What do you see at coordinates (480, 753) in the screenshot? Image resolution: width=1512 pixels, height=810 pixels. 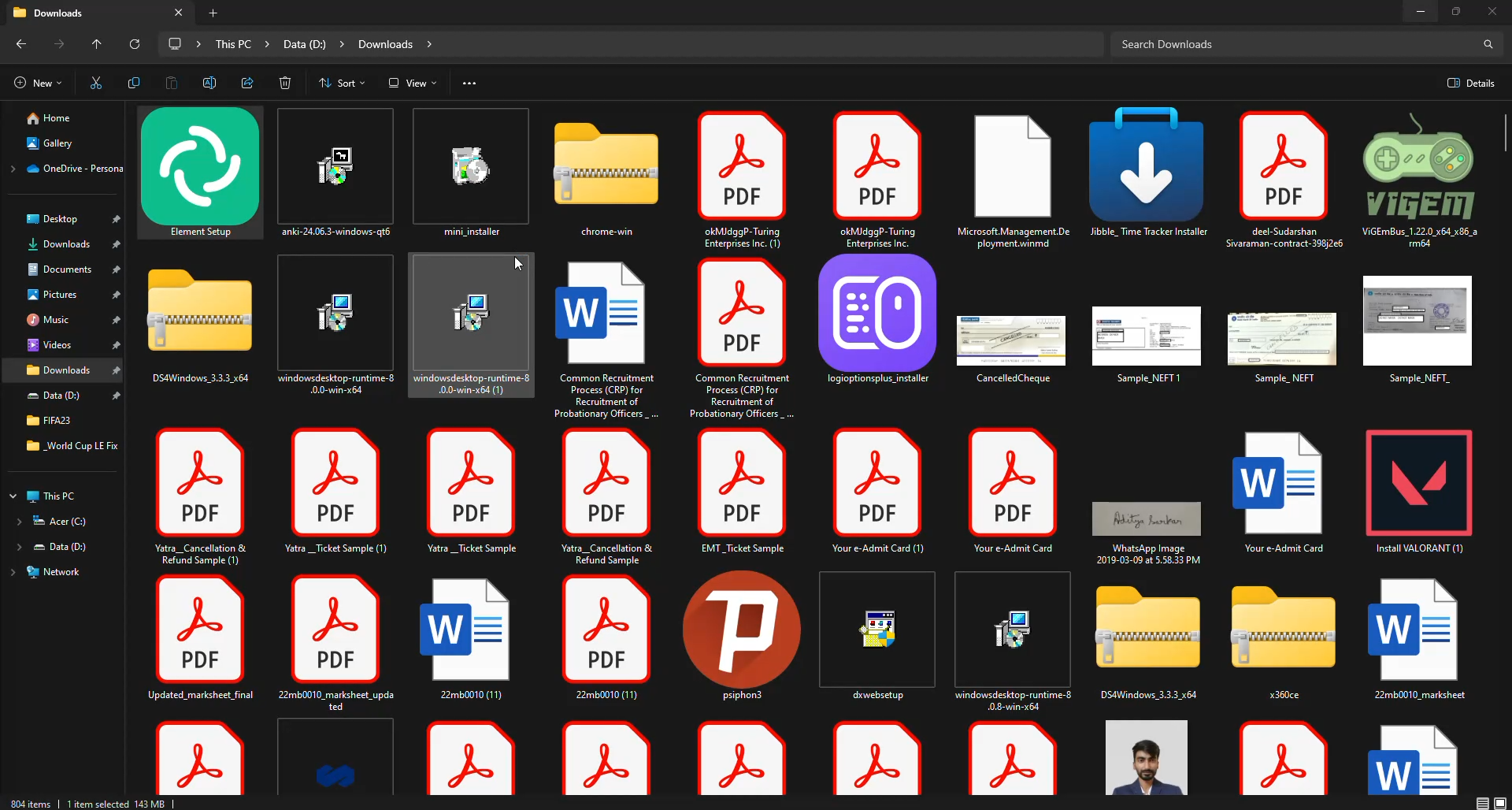 I see `file` at bounding box center [480, 753].